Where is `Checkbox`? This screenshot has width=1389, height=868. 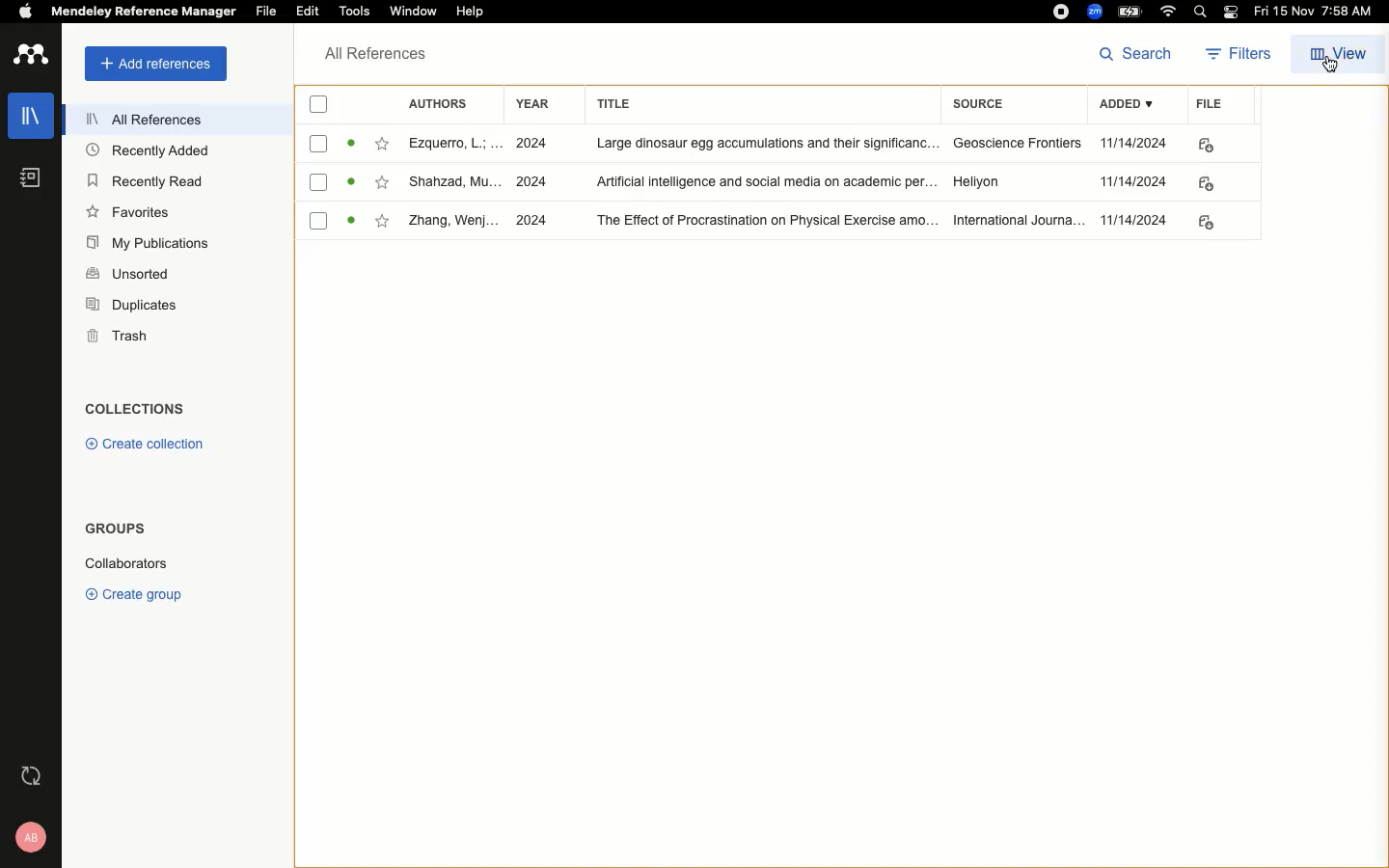
Checkbox is located at coordinates (319, 181).